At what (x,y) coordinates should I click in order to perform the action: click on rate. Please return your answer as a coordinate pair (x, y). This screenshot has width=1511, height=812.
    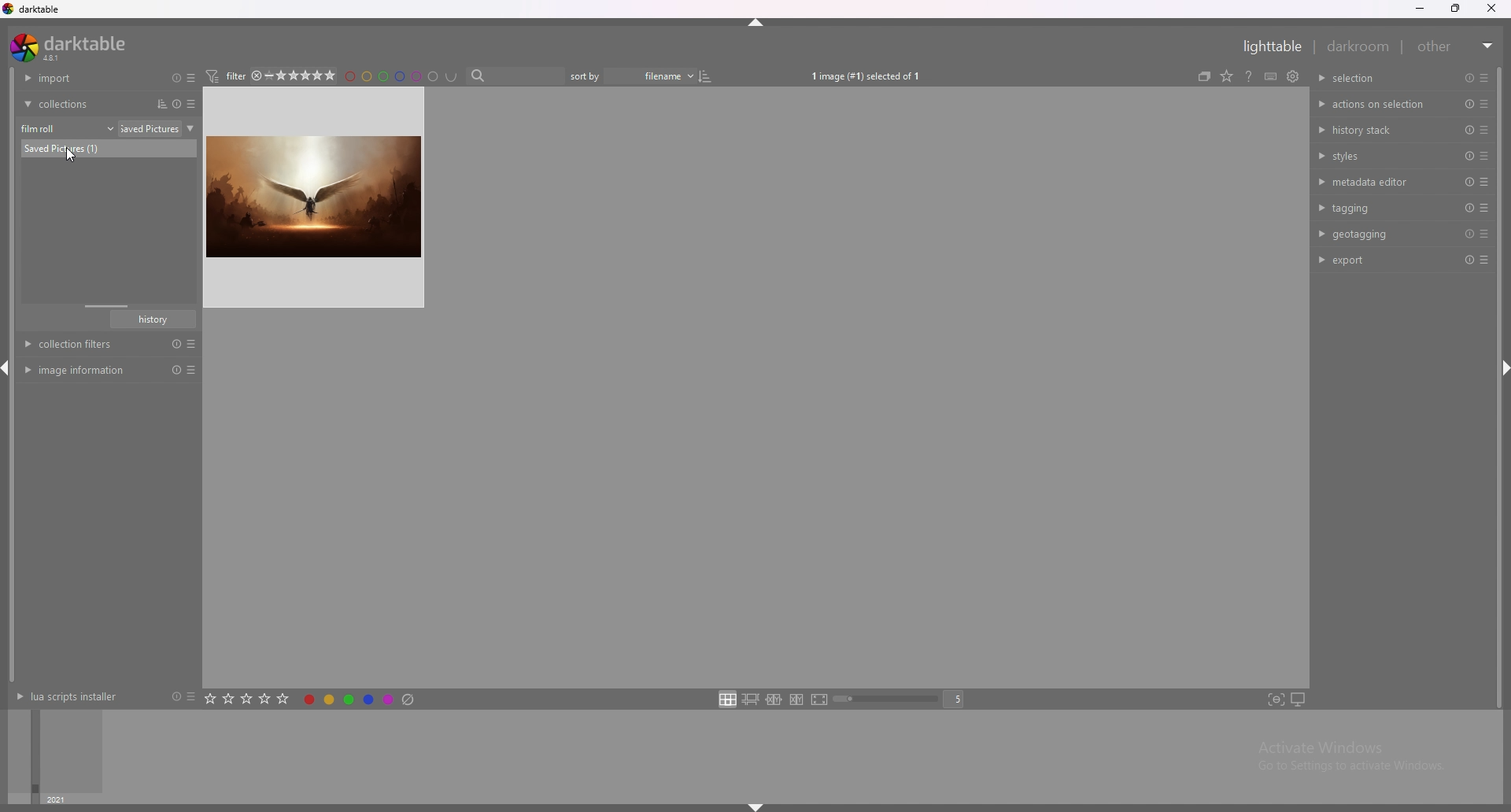
    Looking at the image, I should click on (248, 697).